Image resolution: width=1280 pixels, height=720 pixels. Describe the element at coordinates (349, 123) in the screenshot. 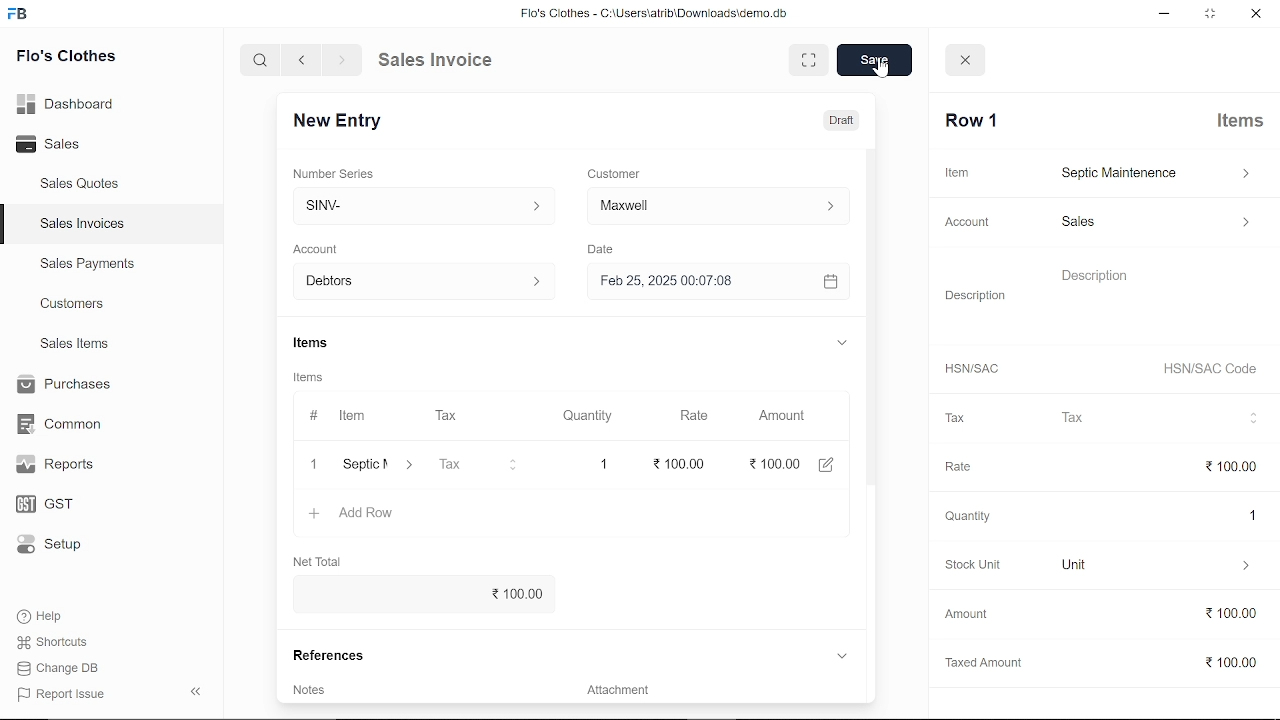

I see `New Entry` at that location.